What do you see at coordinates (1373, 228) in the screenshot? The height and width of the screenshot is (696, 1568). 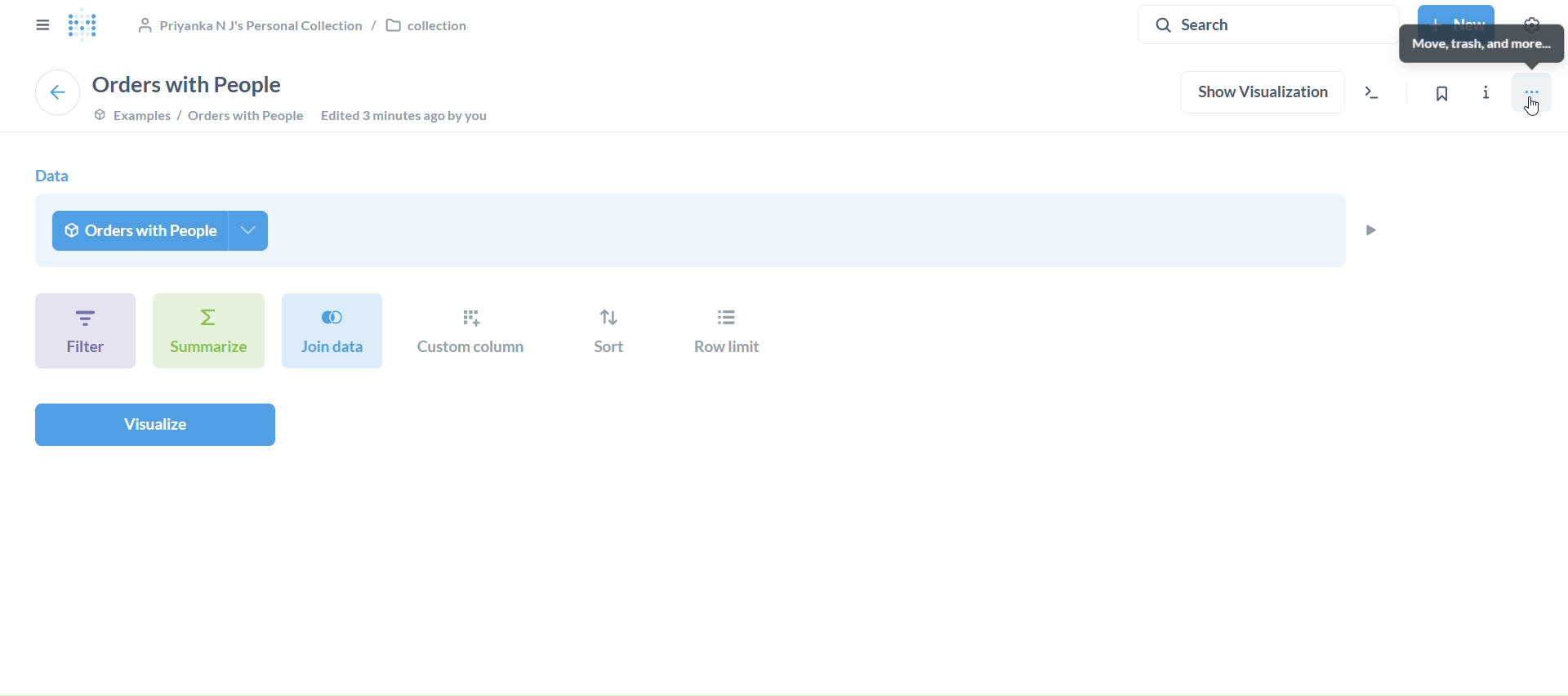 I see `preview` at bounding box center [1373, 228].